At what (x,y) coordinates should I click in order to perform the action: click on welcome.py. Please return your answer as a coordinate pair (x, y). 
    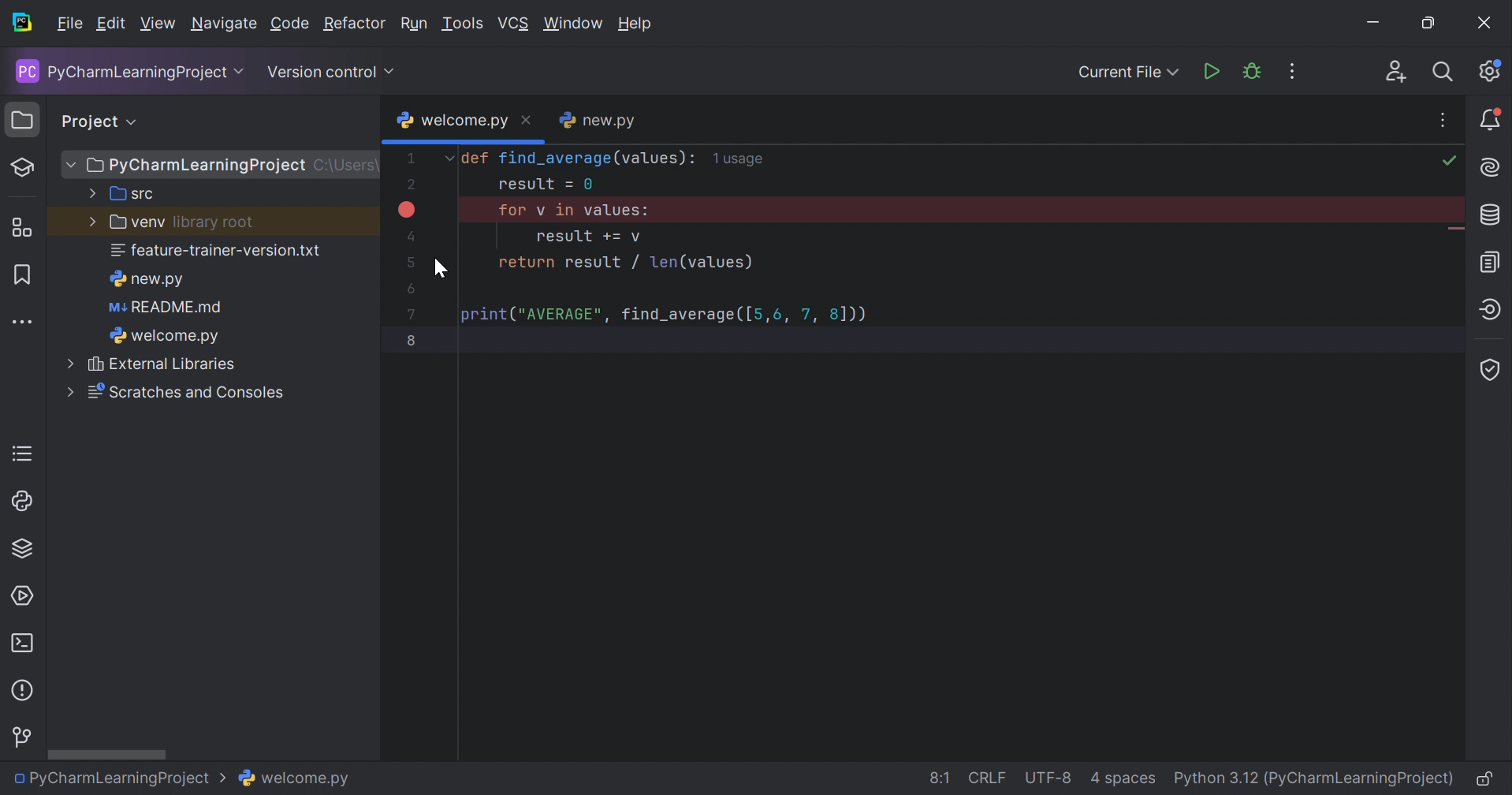
    Looking at the image, I should click on (167, 336).